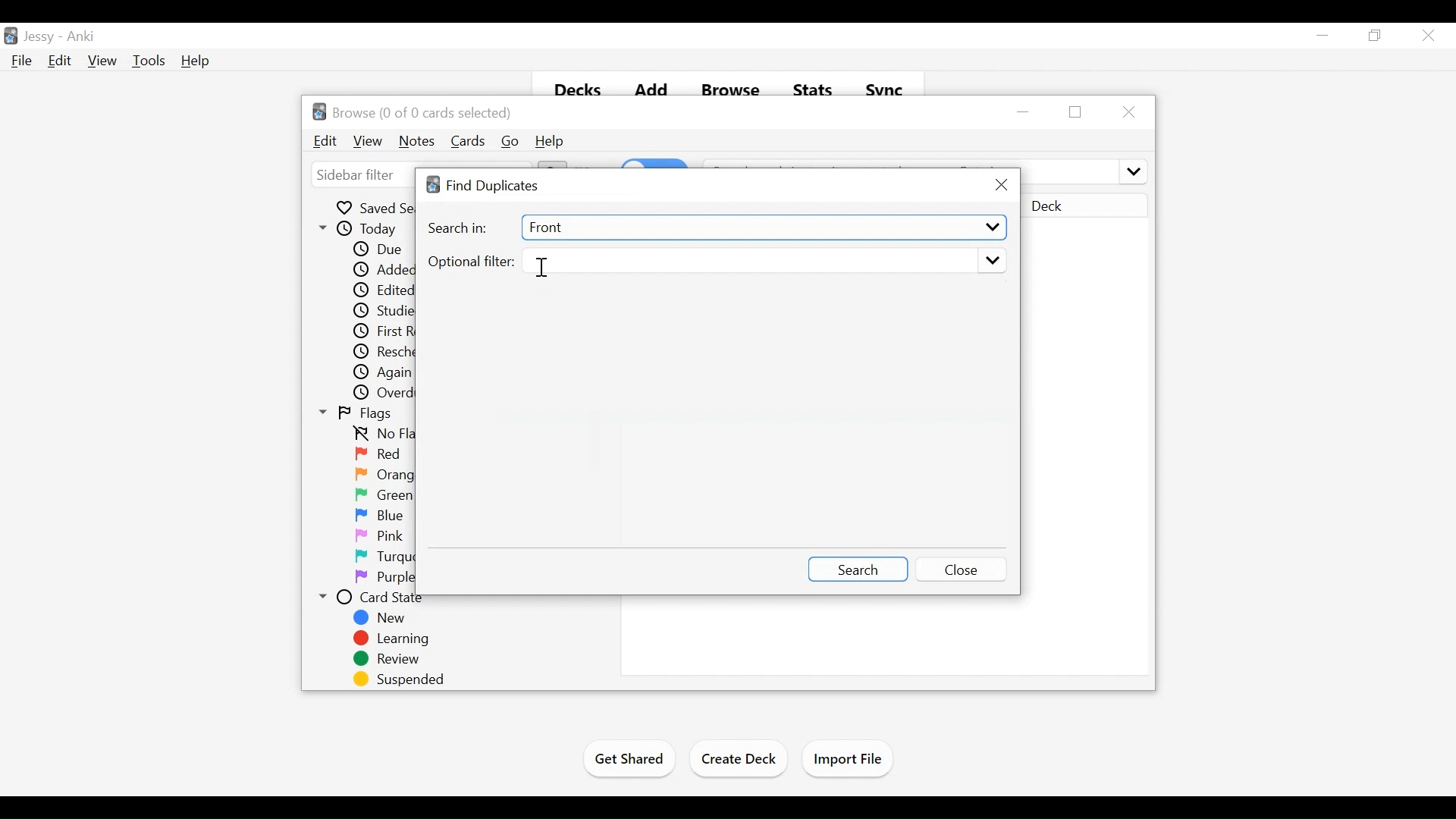 This screenshot has height=819, width=1456. Describe the element at coordinates (857, 568) in the screenshot. I see `Search` at that location.